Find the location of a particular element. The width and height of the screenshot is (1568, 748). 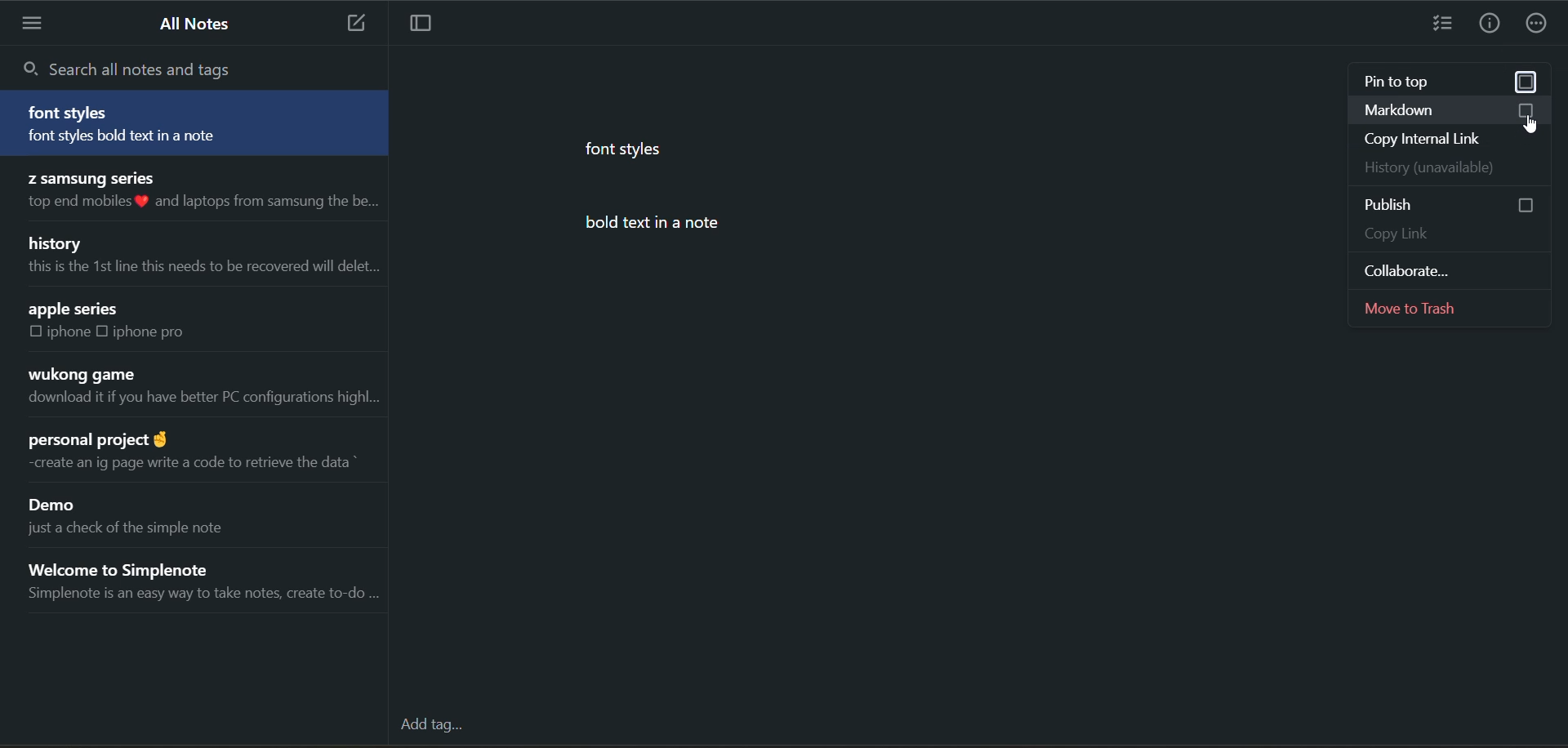

pin to top is located at coordinates (1419, 80).